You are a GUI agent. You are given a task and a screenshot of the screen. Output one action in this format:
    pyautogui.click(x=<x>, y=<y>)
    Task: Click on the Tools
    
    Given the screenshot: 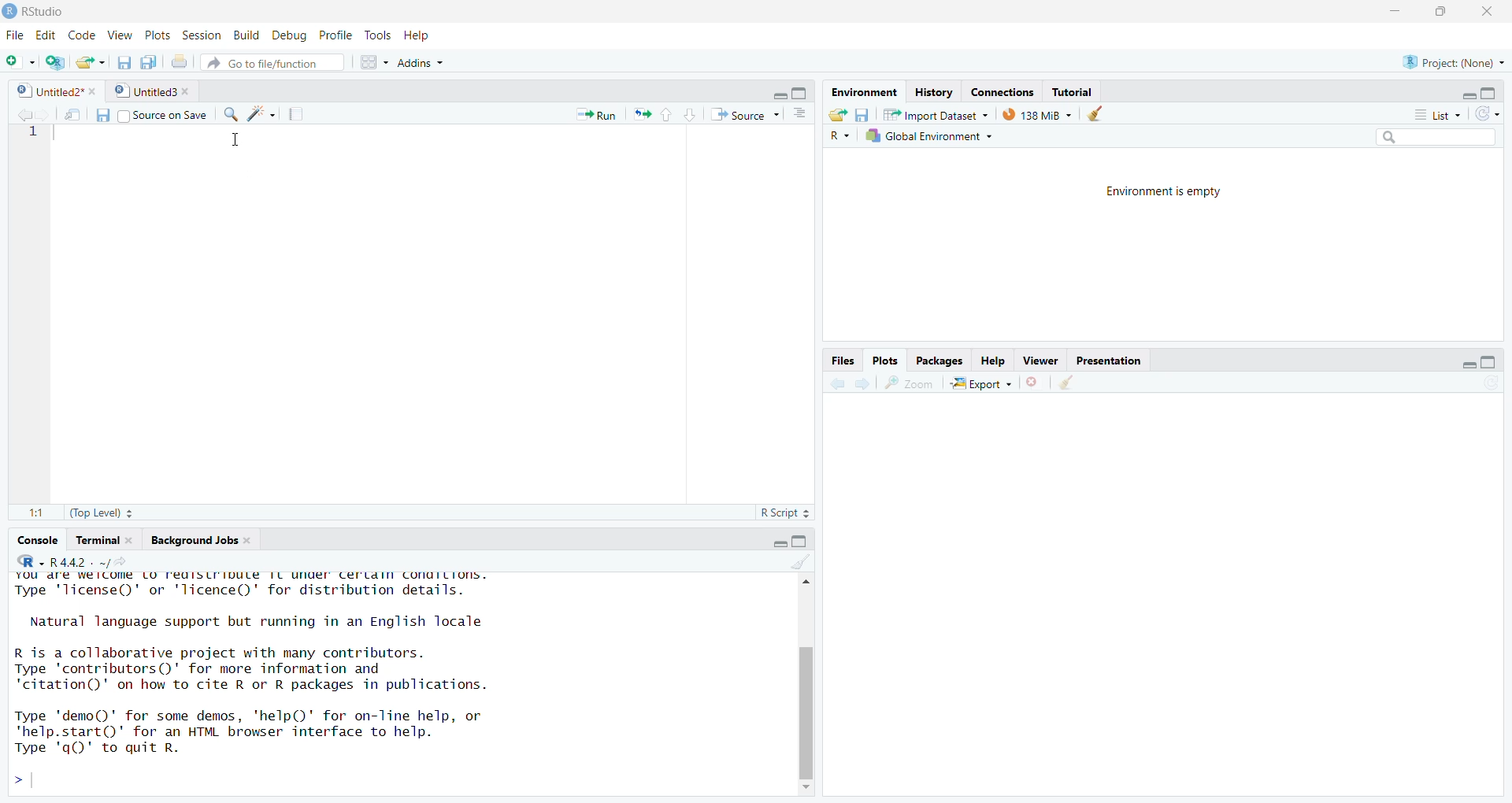 What is the action you would take?
    pyautogui.click(x=375, y=33)
    